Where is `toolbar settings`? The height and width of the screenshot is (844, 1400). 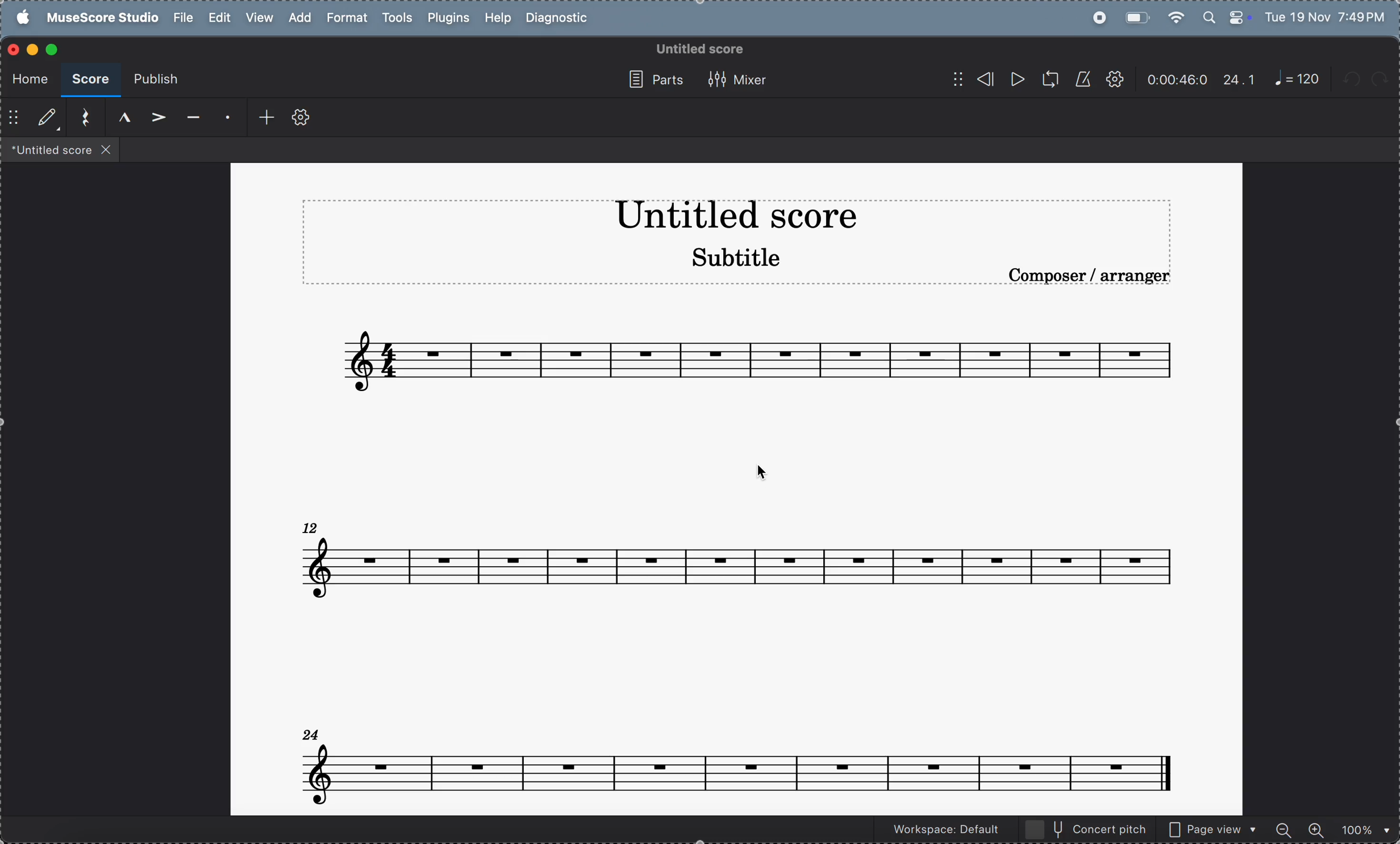 toolbar settings is located at coordinates (301, 118).